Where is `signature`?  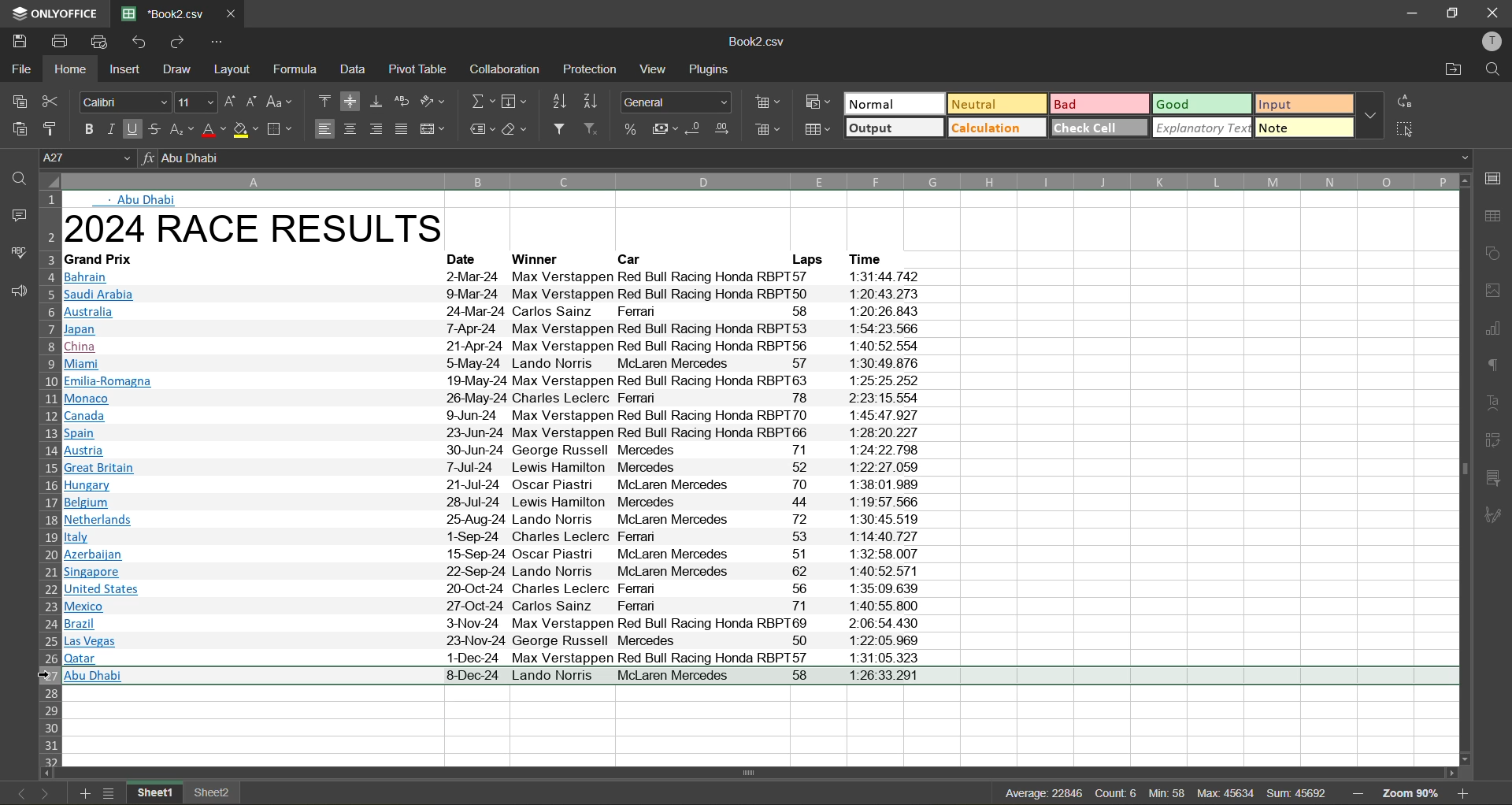
signature is located at coordinates (1496, 514).